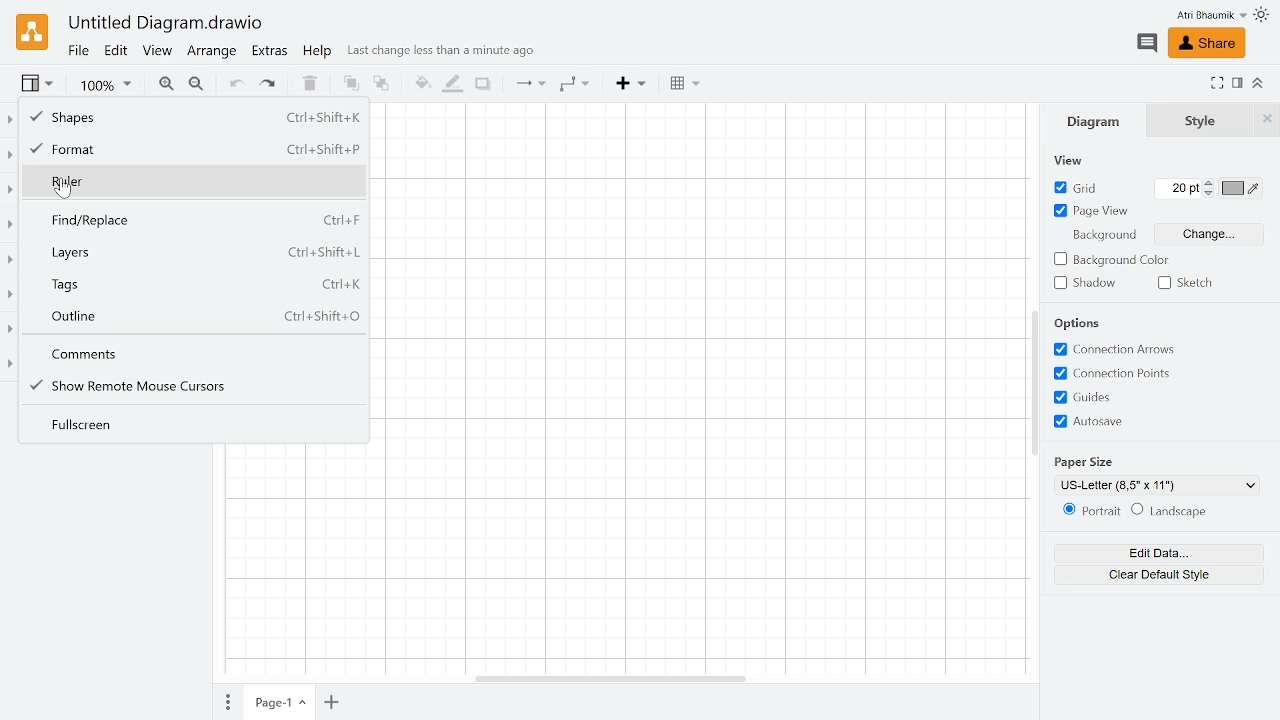 The image size is (1280, 720). What do you see at coordinates (1124, 421) in the screenshot?
I see `Autosave` at bounding box center [1124, 421].